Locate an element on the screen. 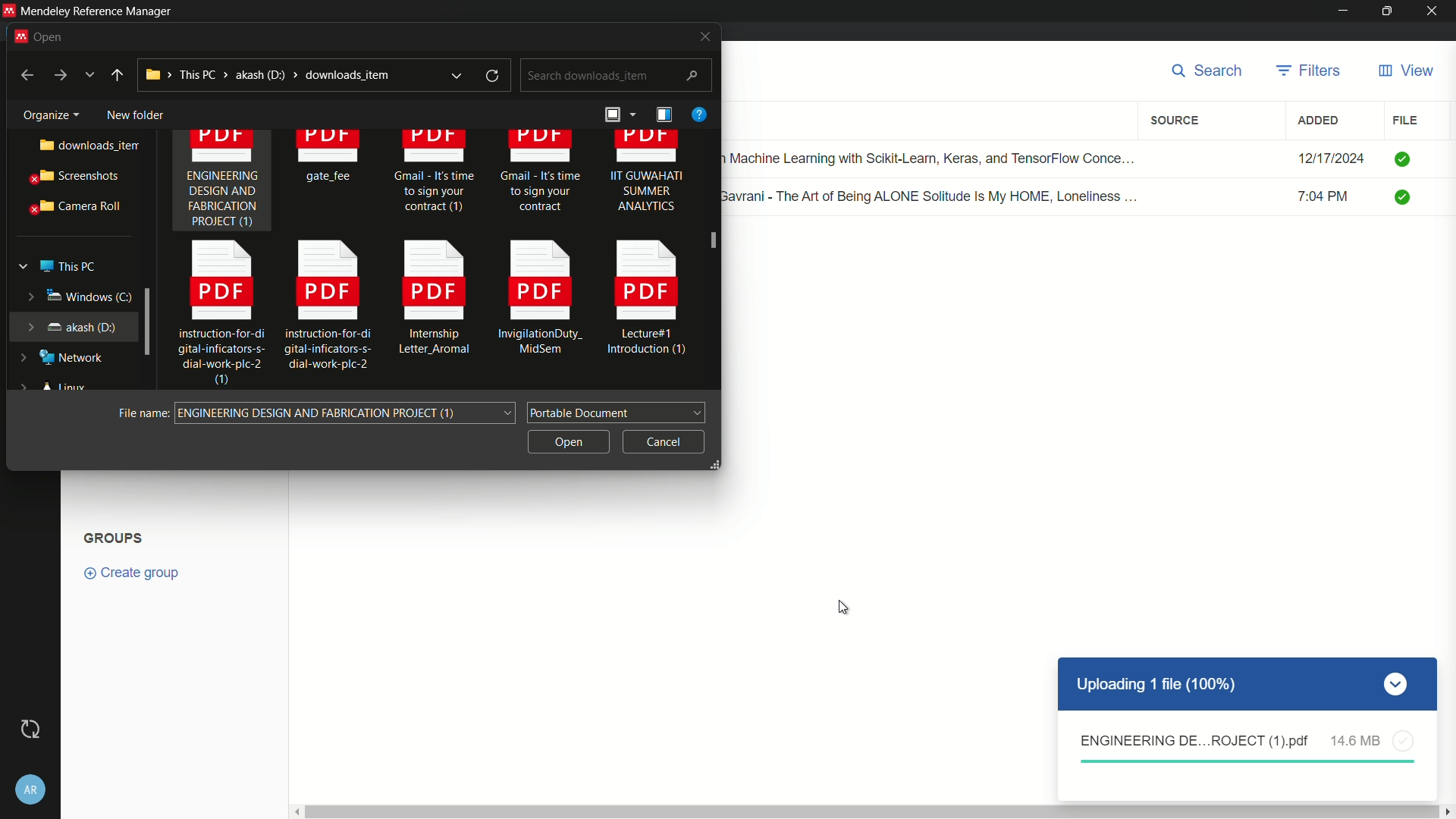  expand window is located at coordinates (149, 320).